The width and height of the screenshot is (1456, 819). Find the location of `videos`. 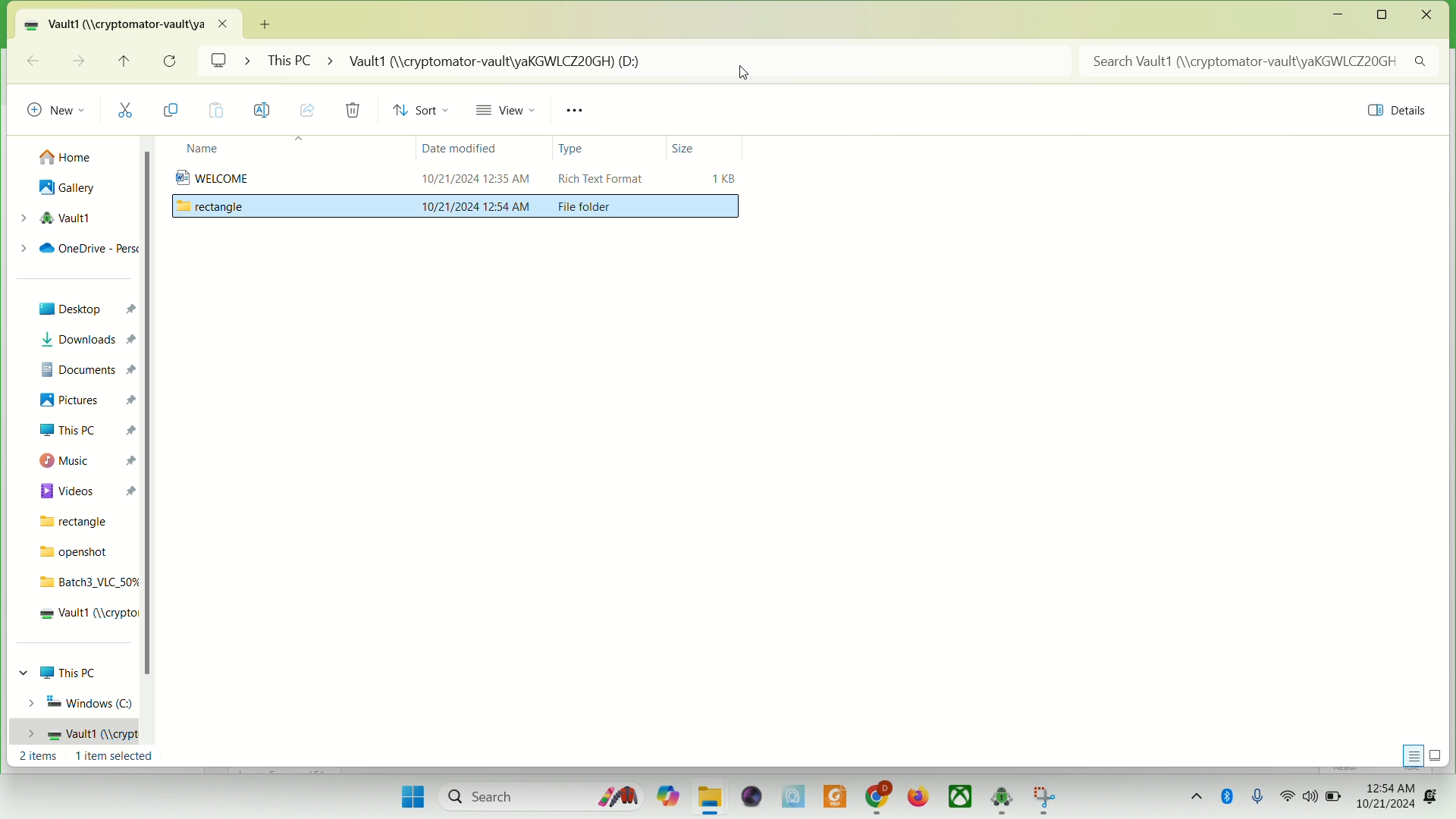

videos is located at coordinates (86, 488).